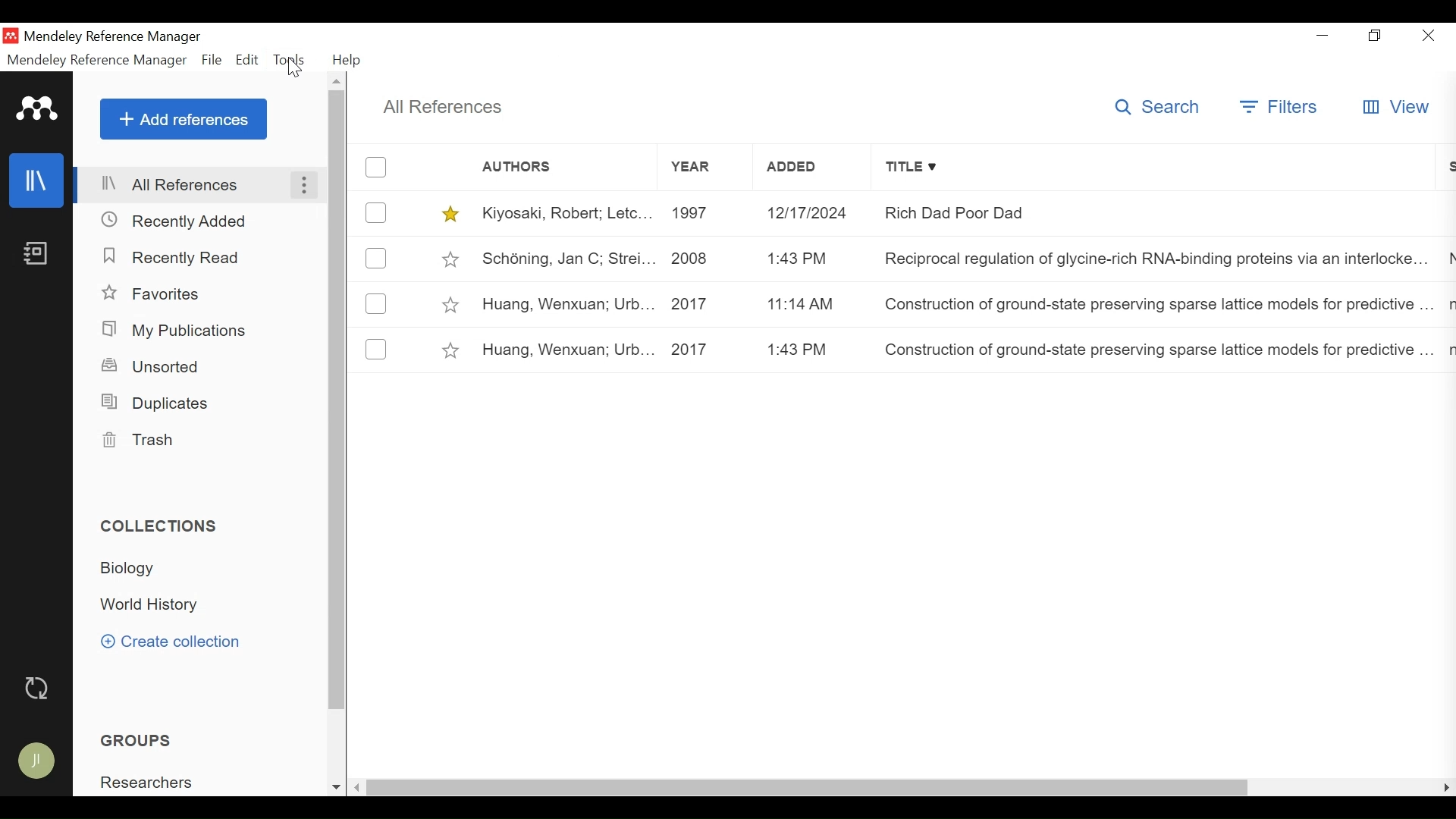 Image resolution: width=1456 pixels, height=819 pixels. I want to click on (un)select, so click(375, 303).